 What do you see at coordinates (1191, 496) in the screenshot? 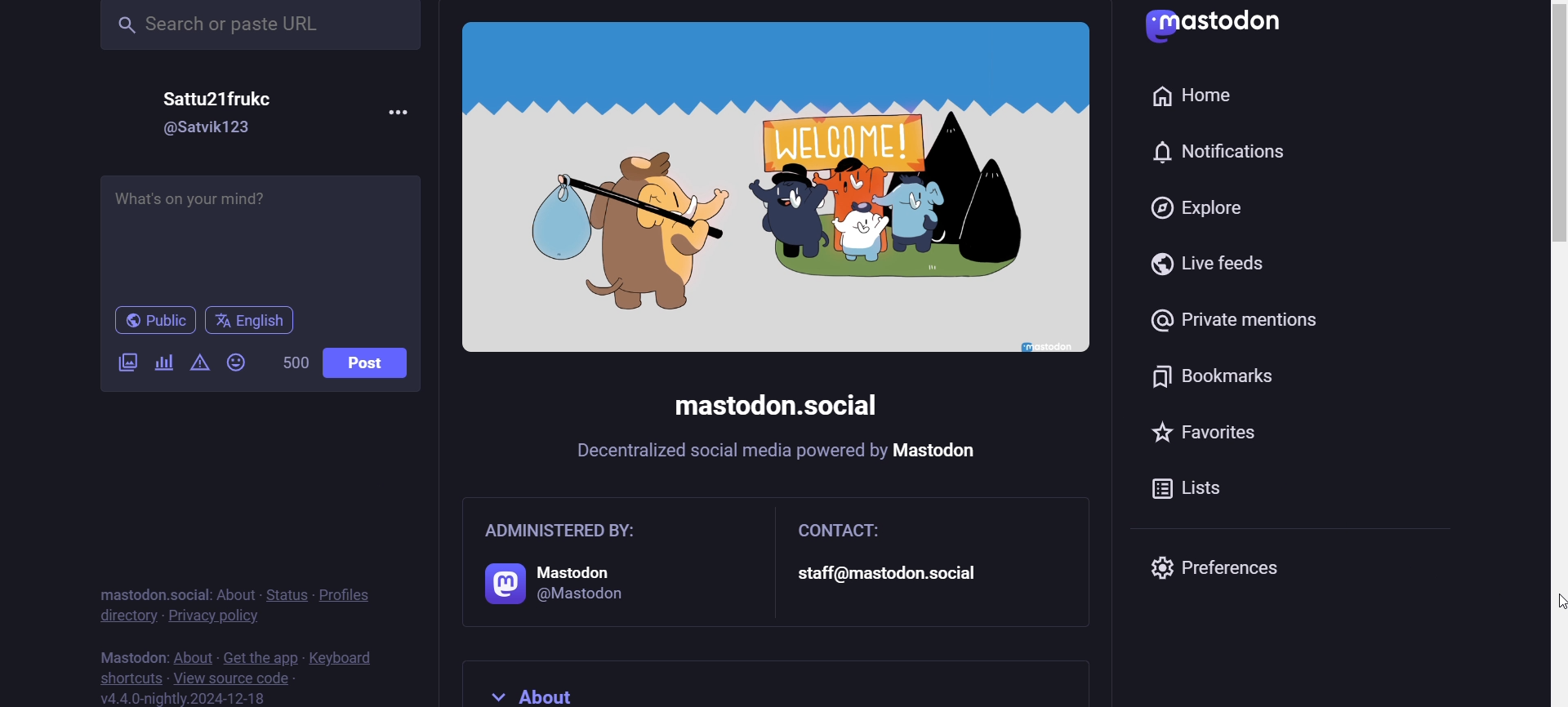
I see `list` at bounding box center [1191, 496].